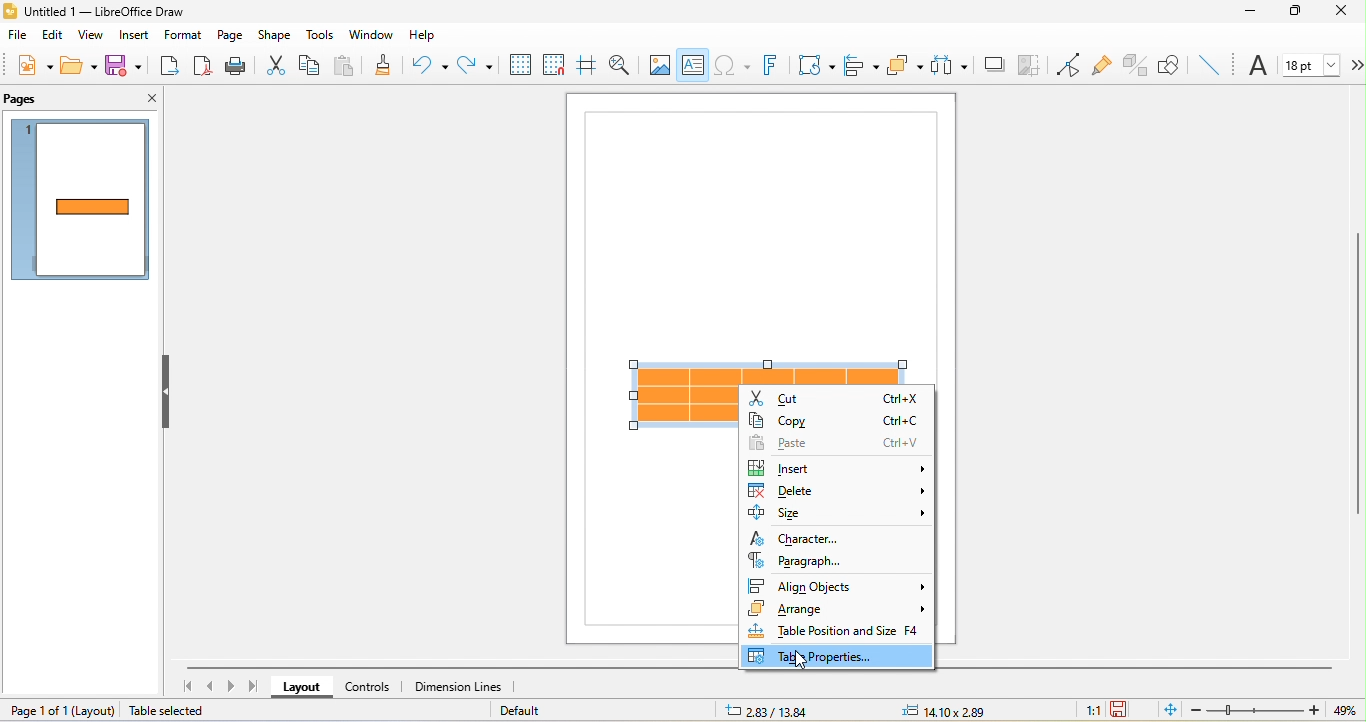 The image size is (1366, 722). Describe the element at coordinates (212, 688) in the screenshot. I see `previous page` at that location.